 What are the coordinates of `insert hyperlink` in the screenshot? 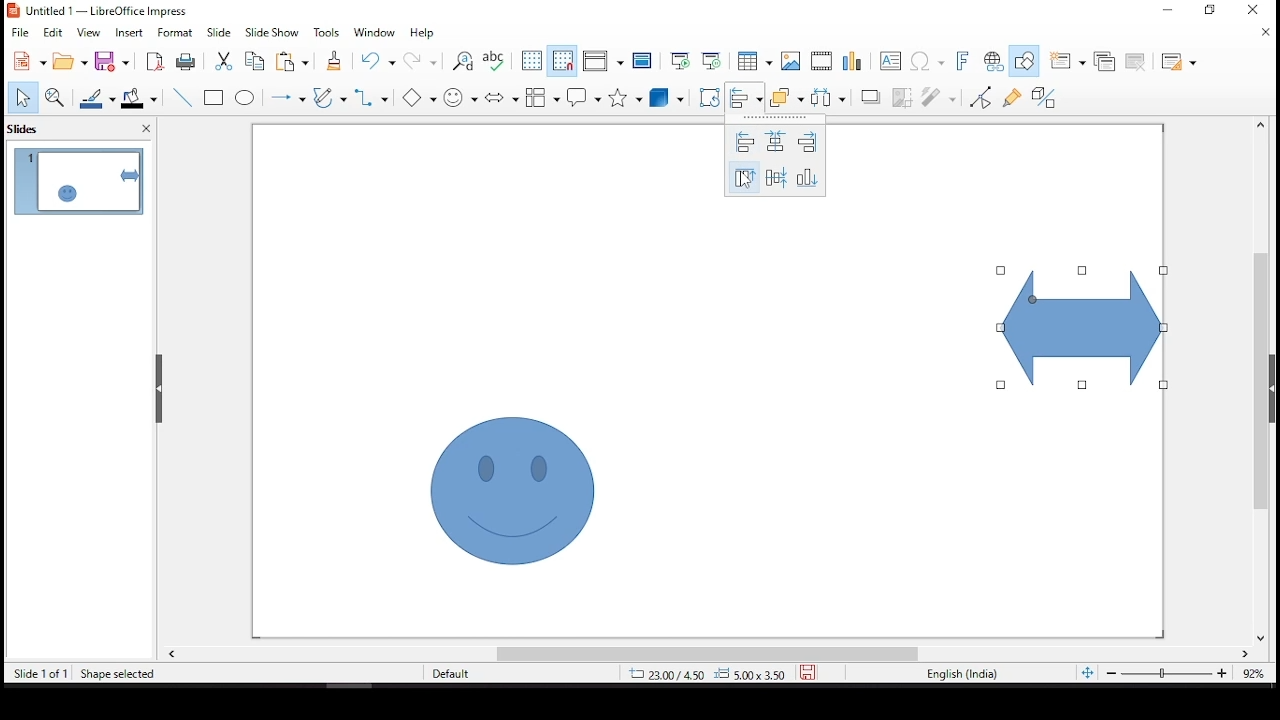 It's located at (993, 62).